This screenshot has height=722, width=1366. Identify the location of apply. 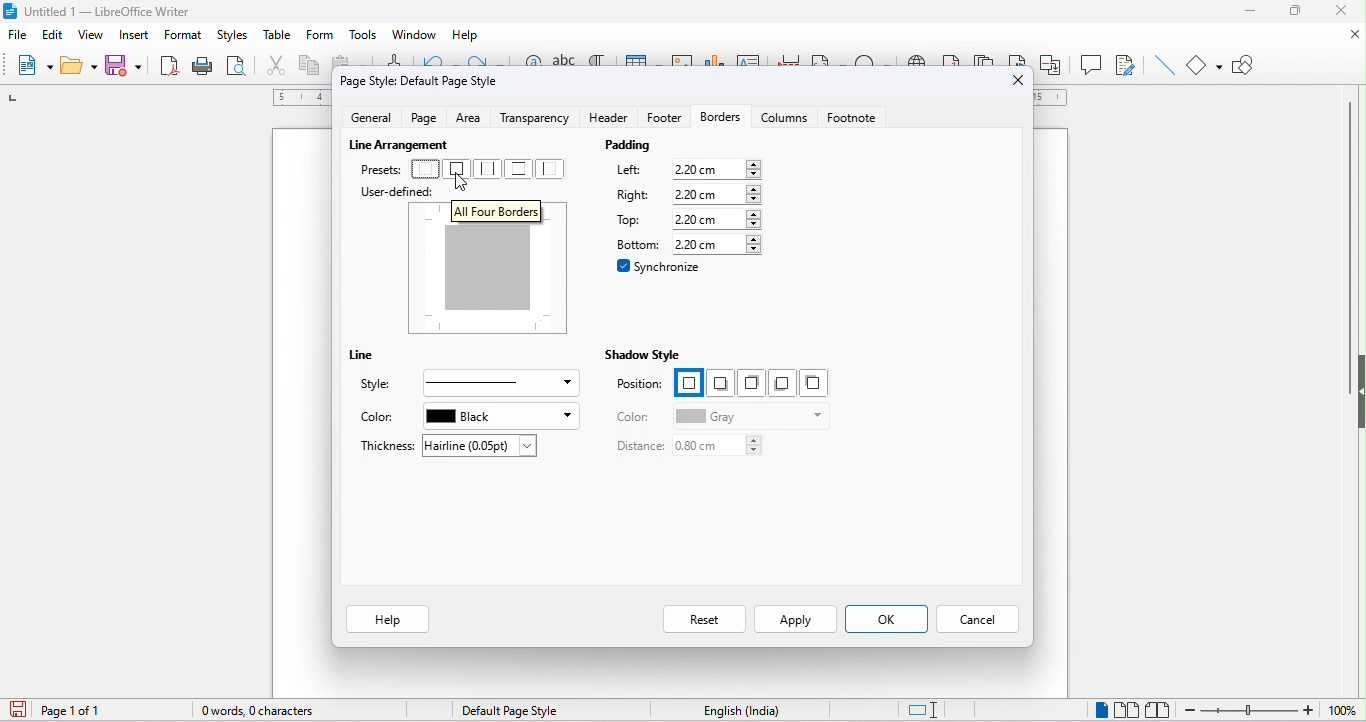
(795, 619).